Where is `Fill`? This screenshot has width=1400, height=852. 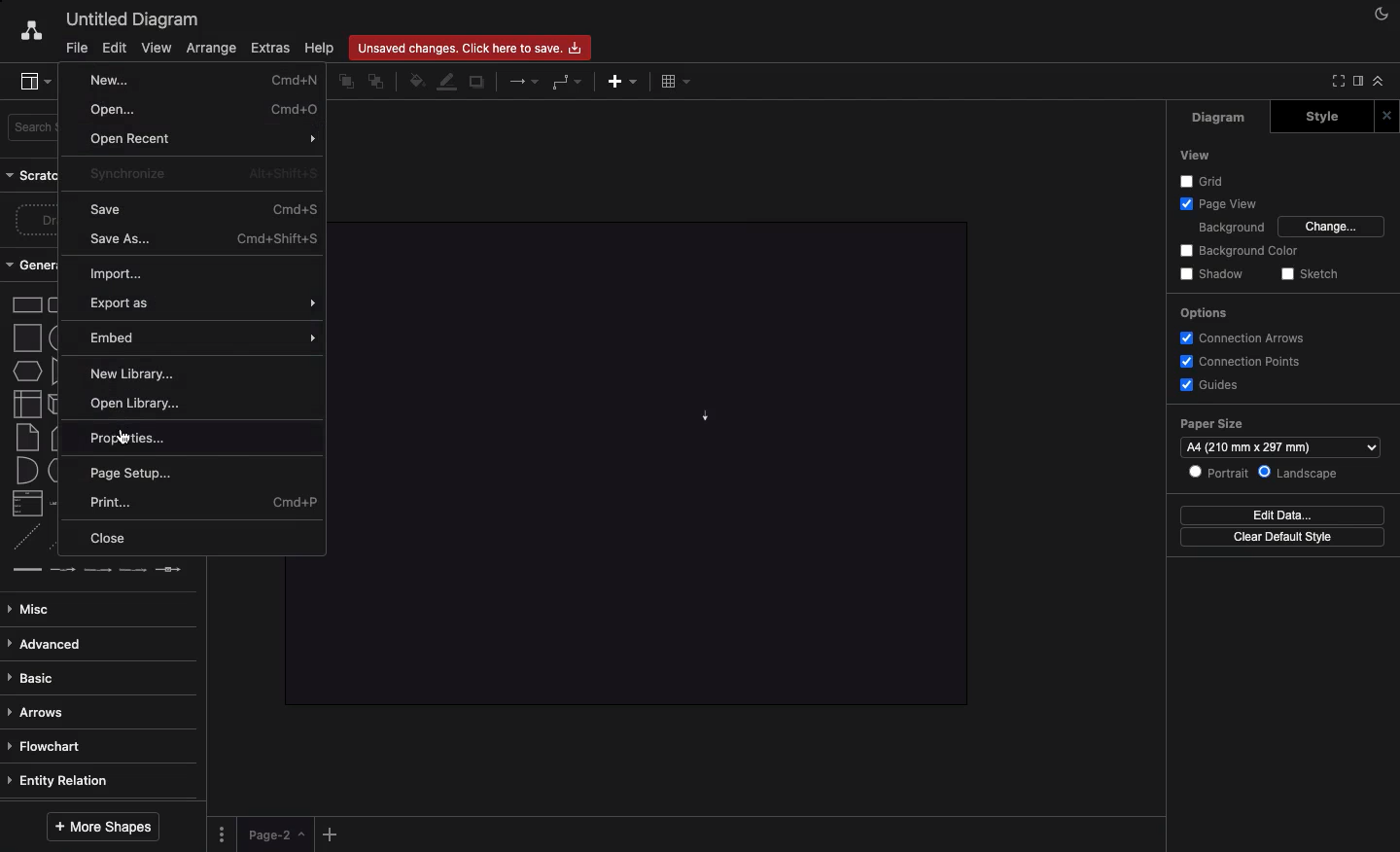
Fill is located at coordinates (415, 82).